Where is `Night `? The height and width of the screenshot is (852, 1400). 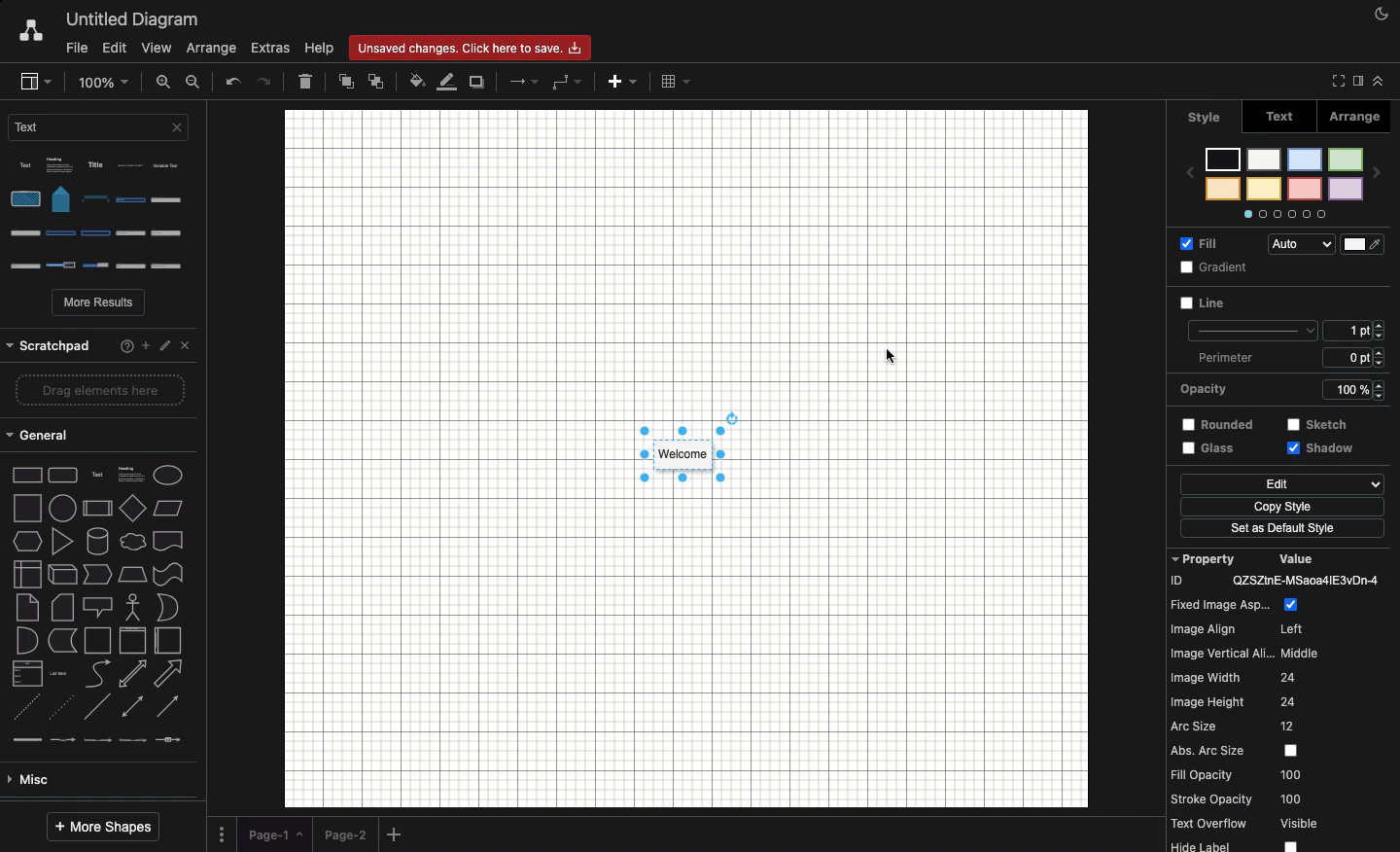
Night  is located at coordinates (1382, 13).